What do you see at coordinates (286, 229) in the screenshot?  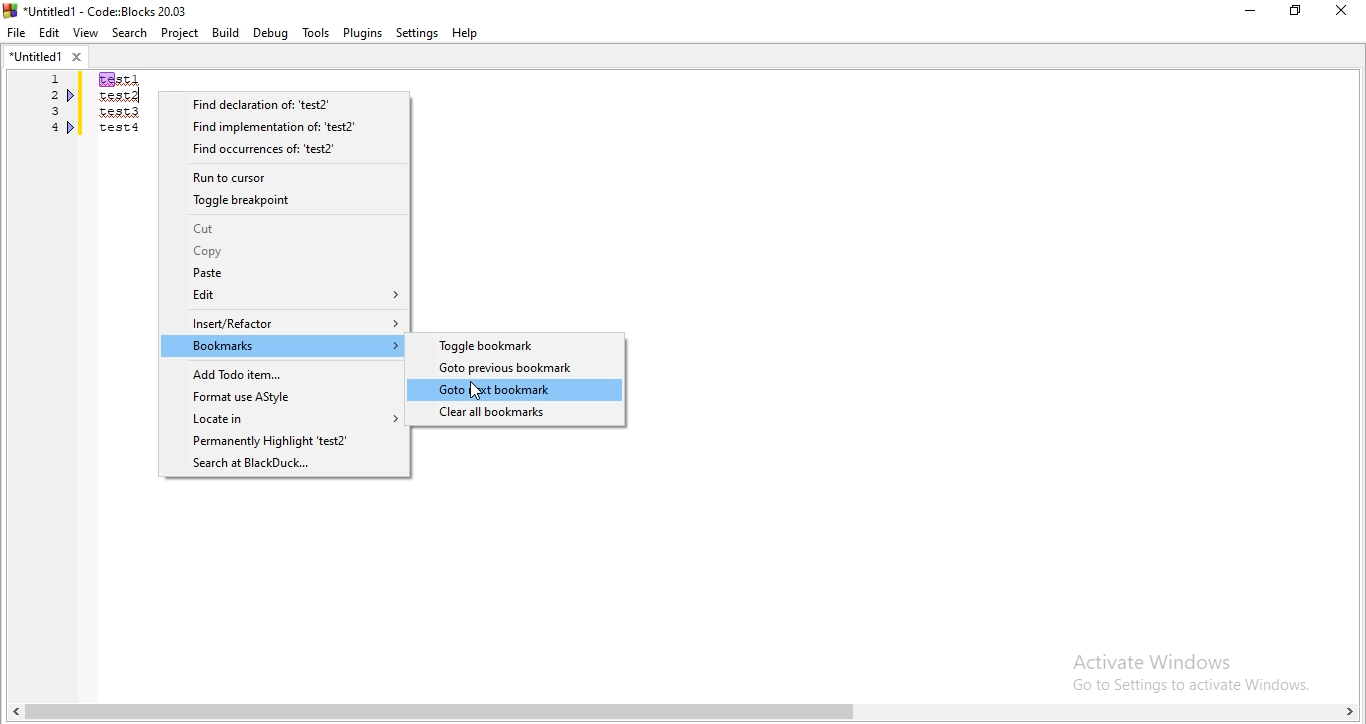 I see `Cut` at bounding box center [286, 229].